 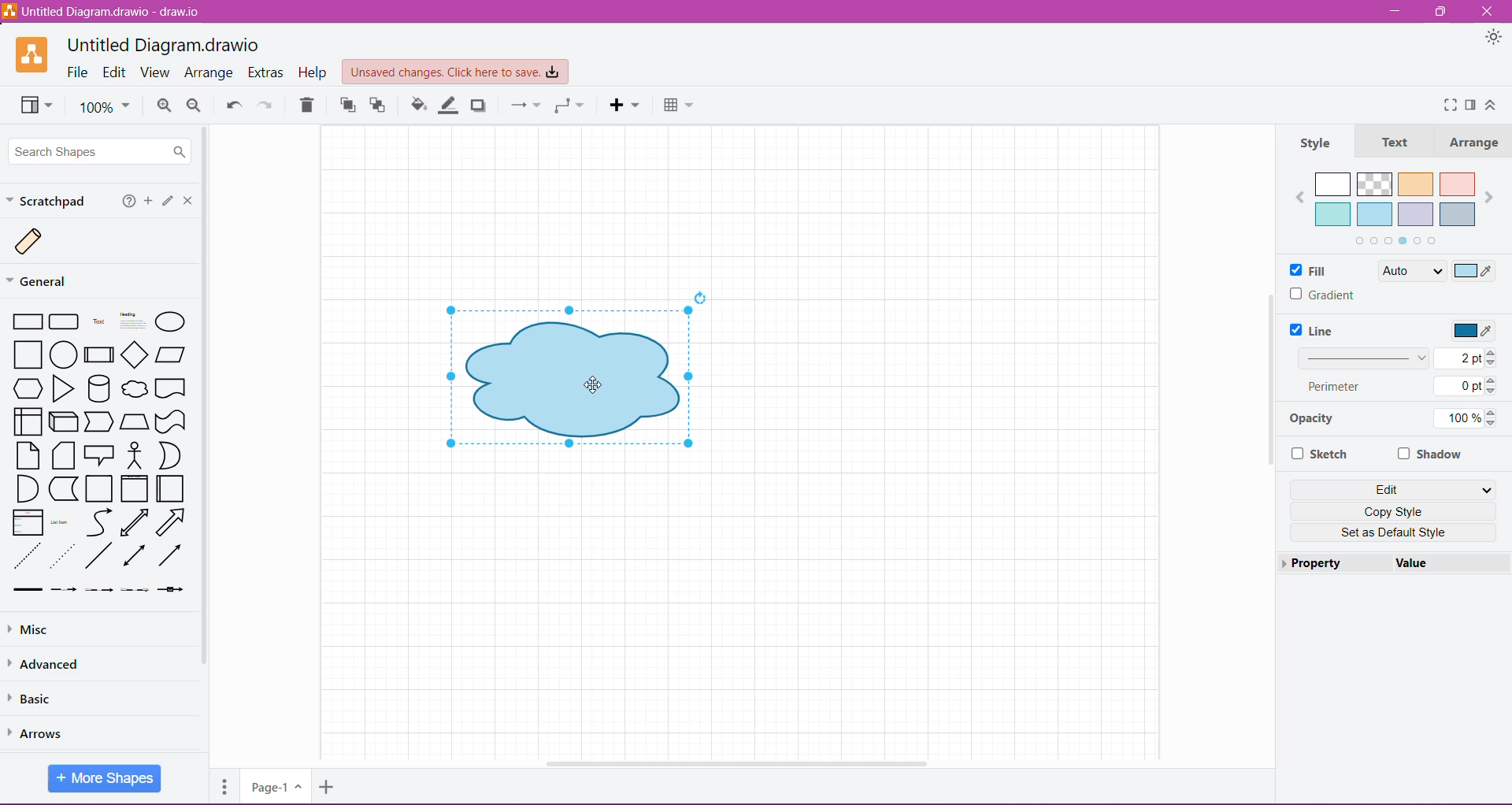 What do you see at coordinates (1475, 332) in the screenshot?
I see `Select Line Color` at bounding box center [1475, 332].